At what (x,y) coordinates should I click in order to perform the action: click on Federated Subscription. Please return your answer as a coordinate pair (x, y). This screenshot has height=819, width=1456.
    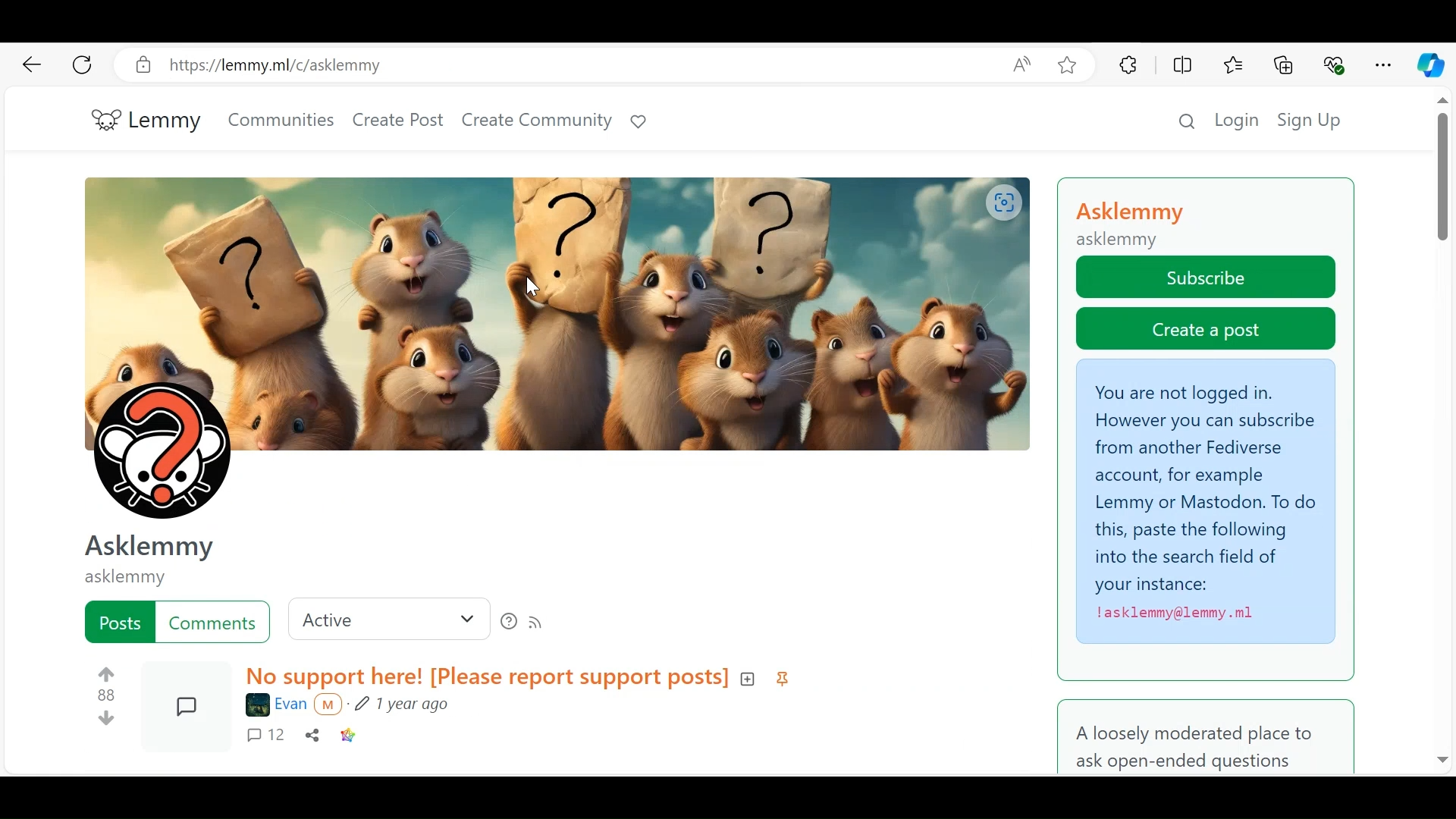
    Looking at the image, I should click on (1207, 503).